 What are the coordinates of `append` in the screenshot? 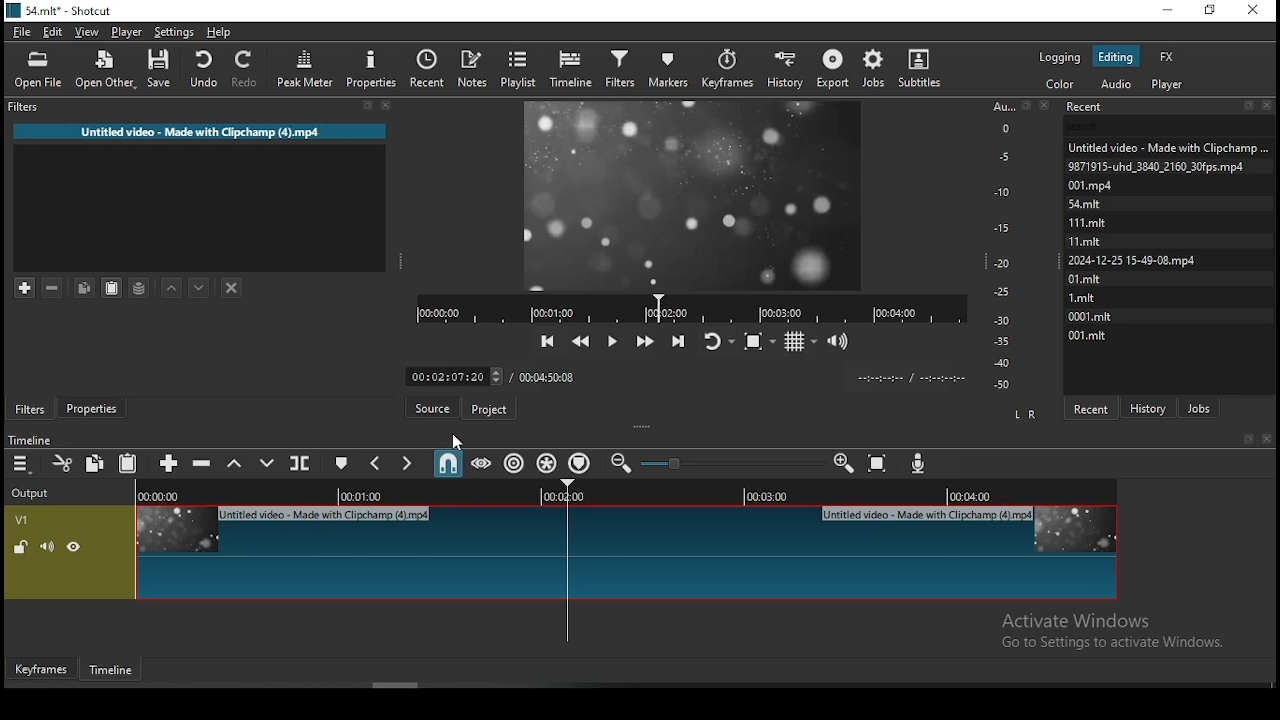 It's located at (171, 463).